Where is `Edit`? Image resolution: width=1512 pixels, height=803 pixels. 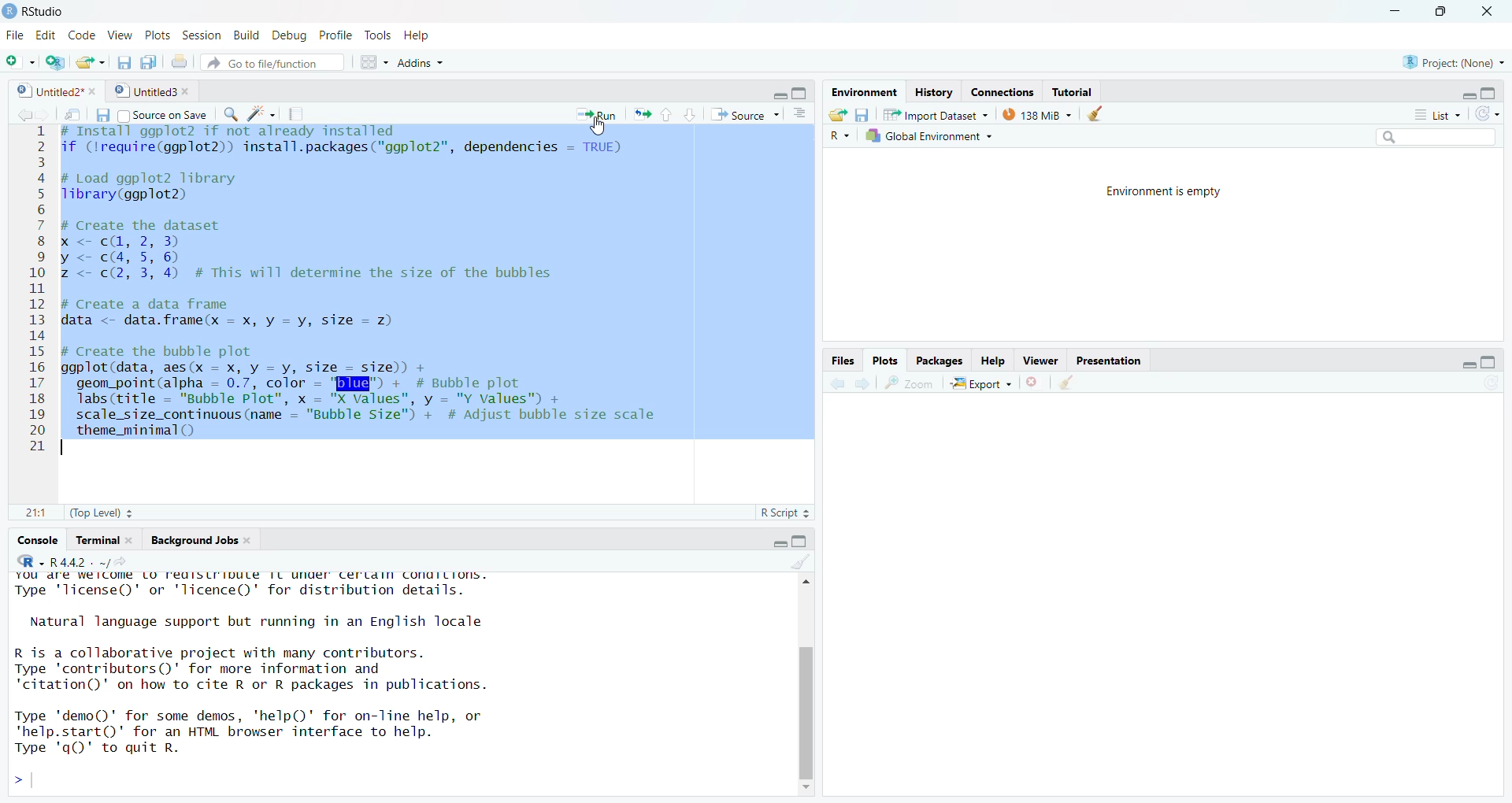
Edit is located at coordinates (44, 35).